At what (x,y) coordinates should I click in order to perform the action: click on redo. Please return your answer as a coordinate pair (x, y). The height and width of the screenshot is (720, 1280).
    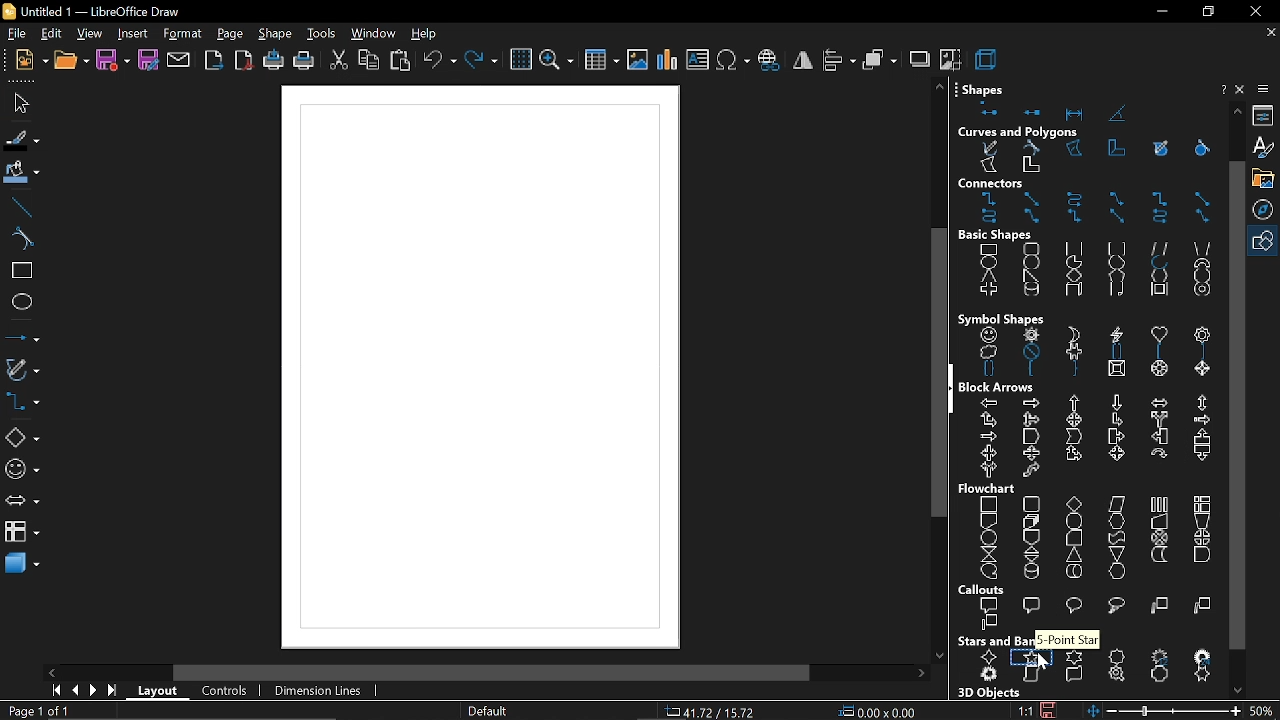
    Looking at the image, I should click on (481, 60).